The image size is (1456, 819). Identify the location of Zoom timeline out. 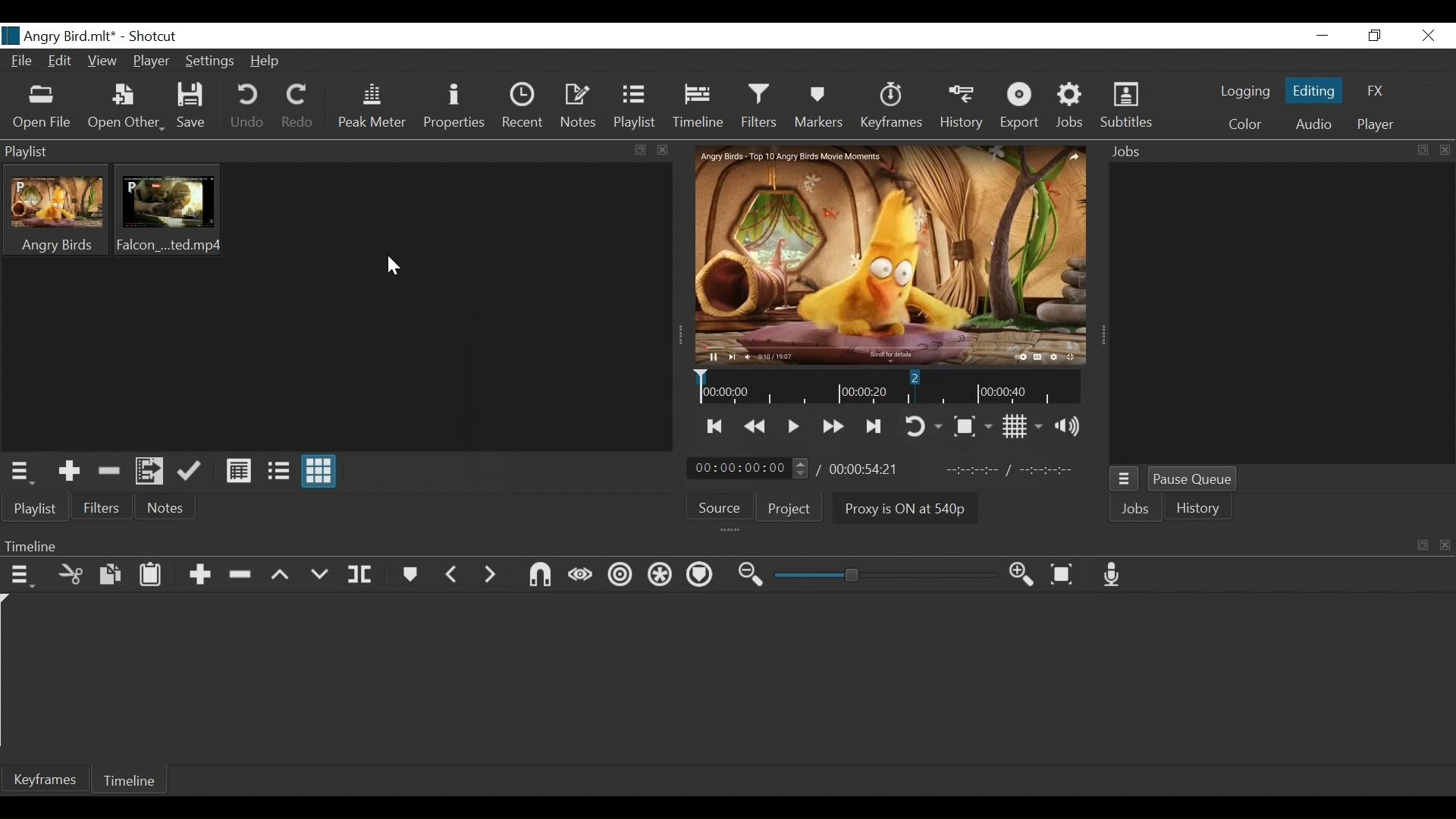
(745, 575).